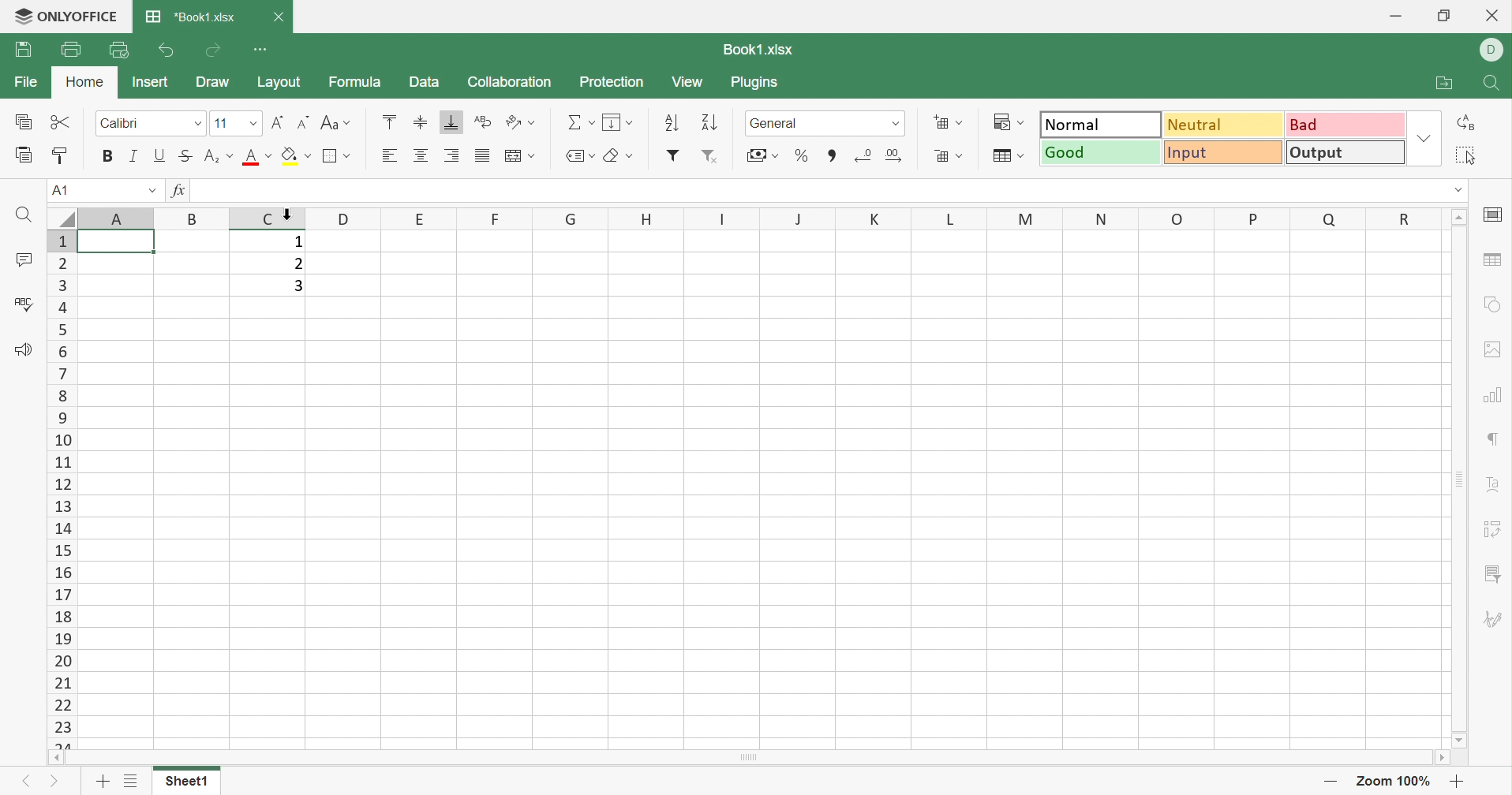  I want to click on Insert, so click(156, 80).